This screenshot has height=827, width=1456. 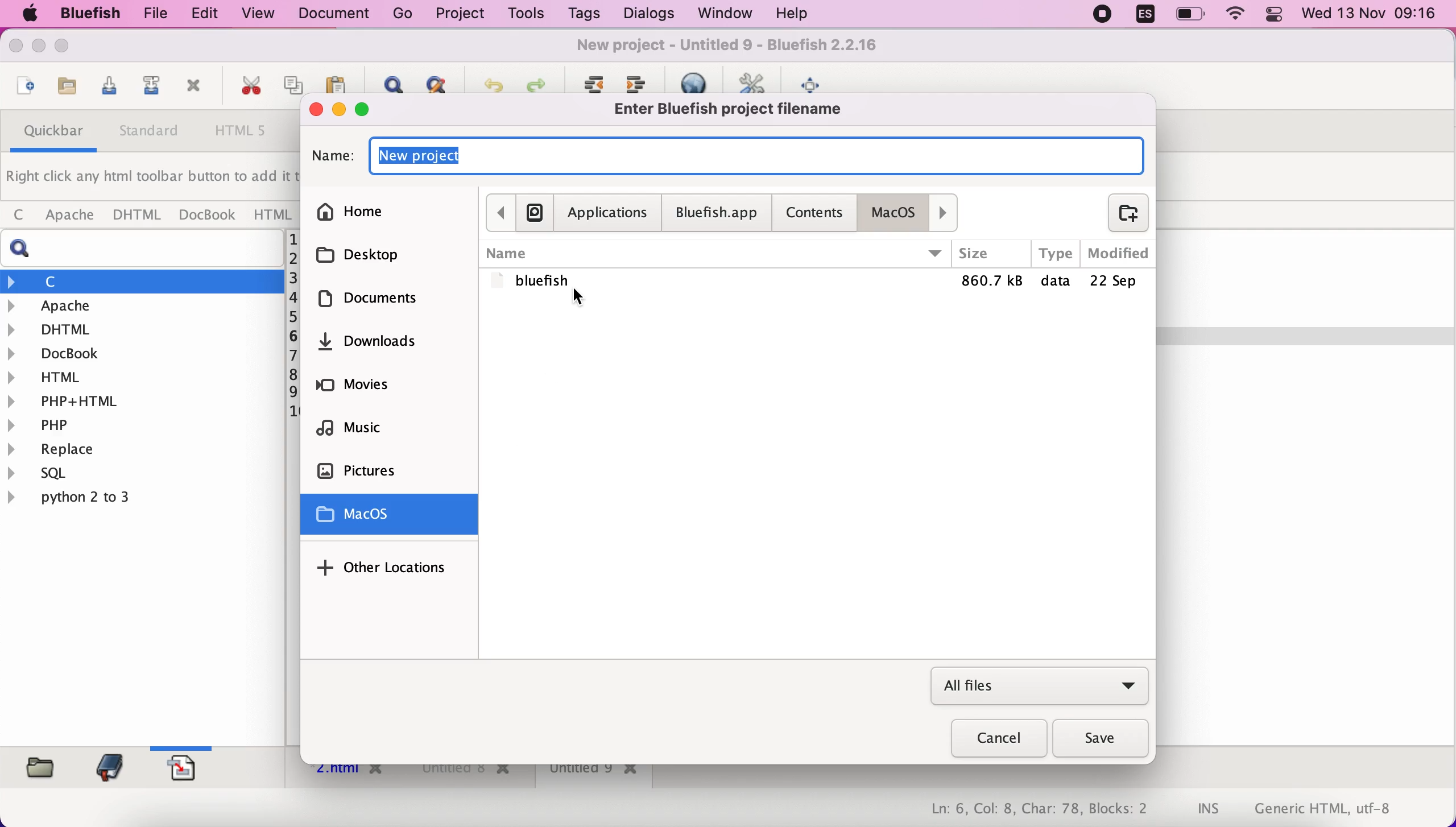 What do you see at coordinates (700, 81) in the screenshot?
I see `preview in browser` at bounding box center [700, 81].